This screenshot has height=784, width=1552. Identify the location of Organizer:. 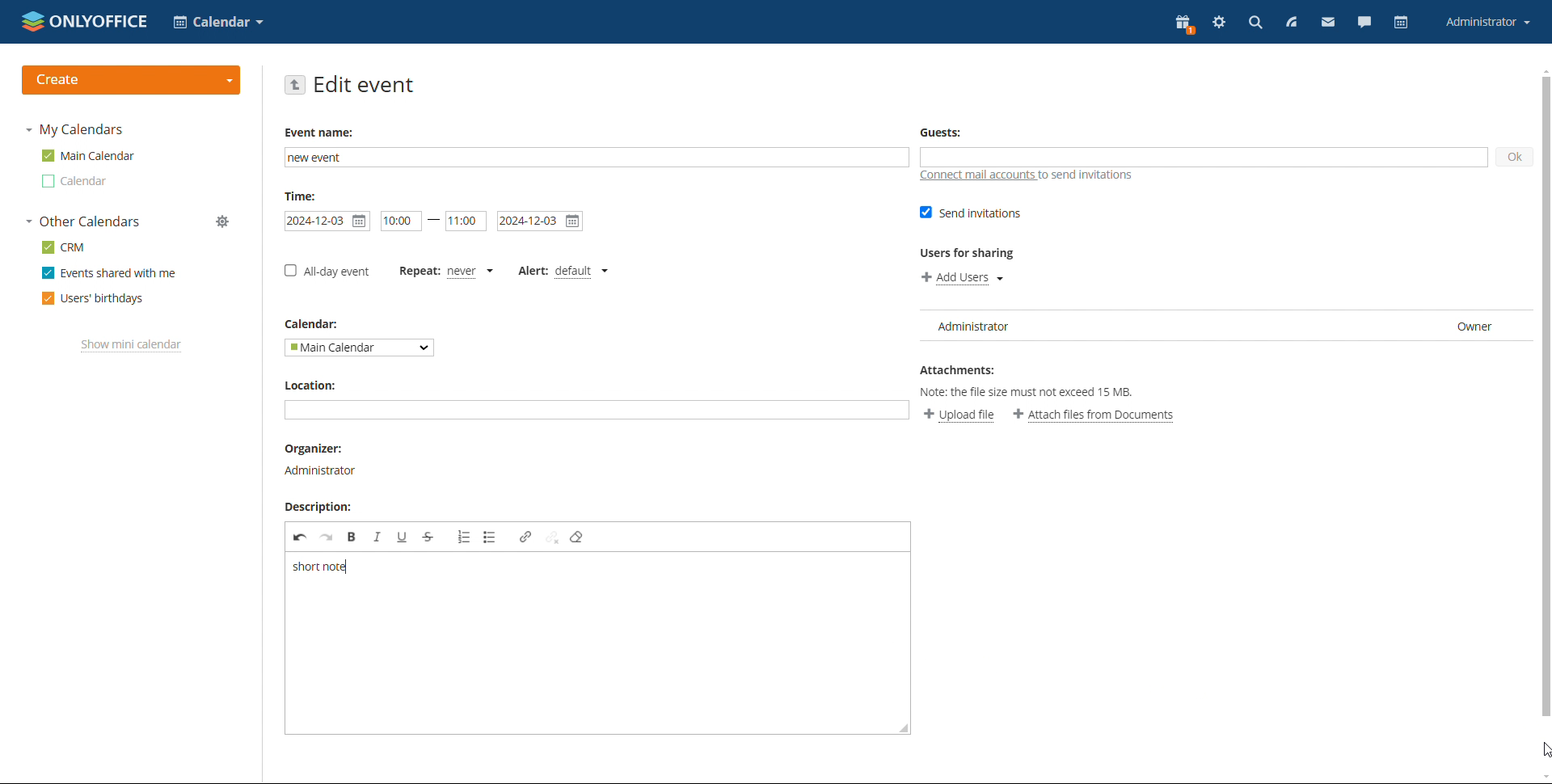
(310, 448).